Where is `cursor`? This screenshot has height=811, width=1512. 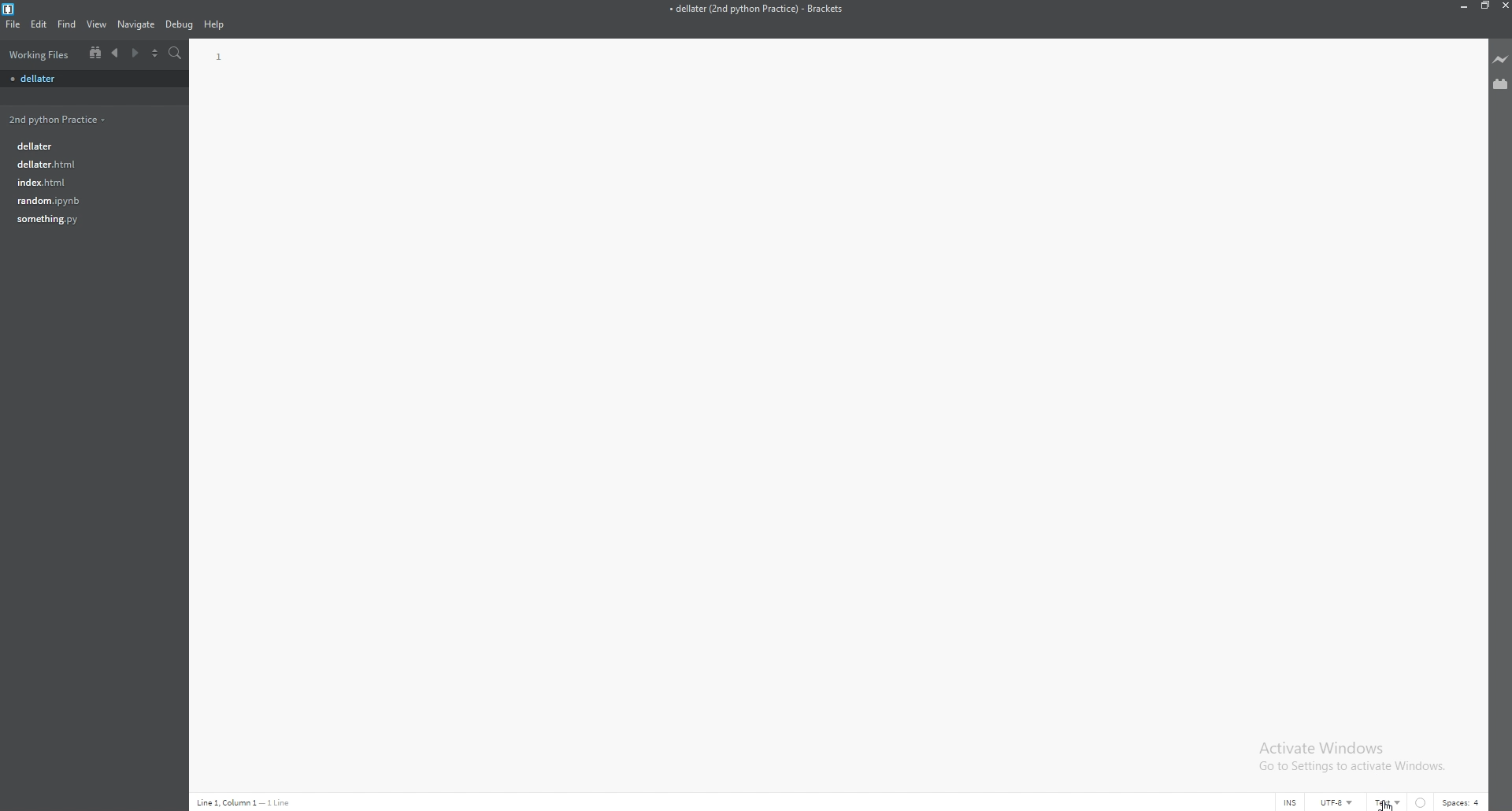 cursor is located at coordinates (1392, 805).